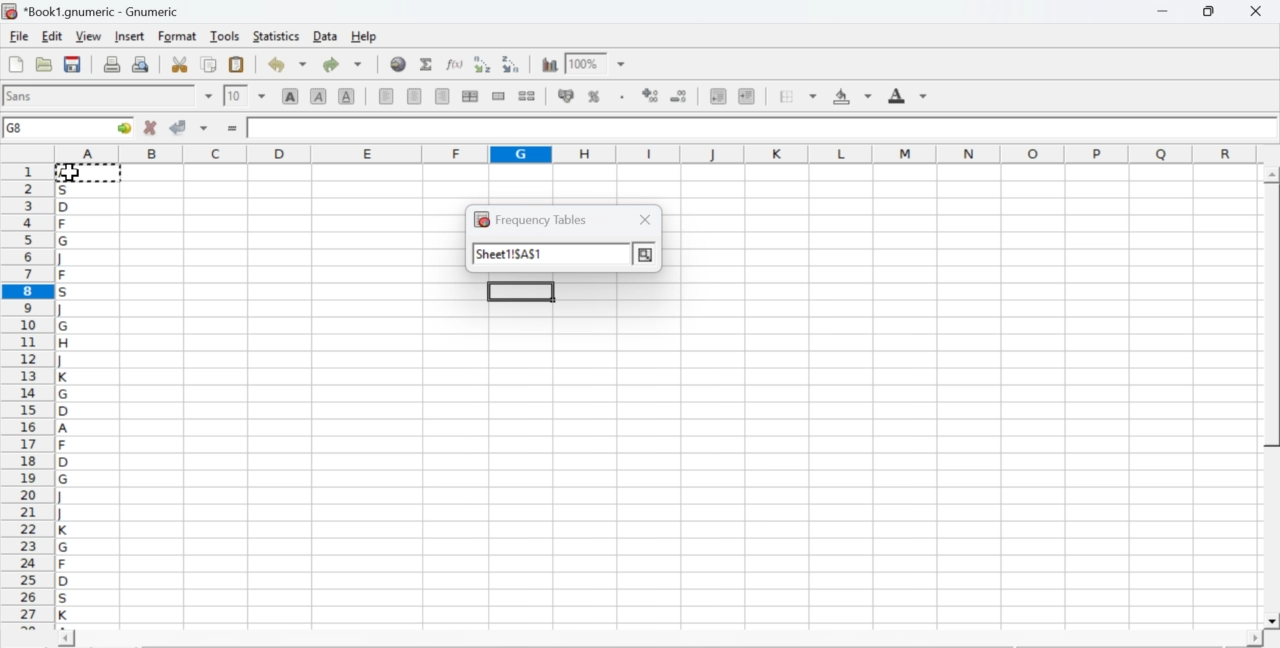 This screenshot has width=1280, height=648. What do you see at coordinates (122, 127) in the screenshot?
I see `go to` at bounding box center [122, 127].